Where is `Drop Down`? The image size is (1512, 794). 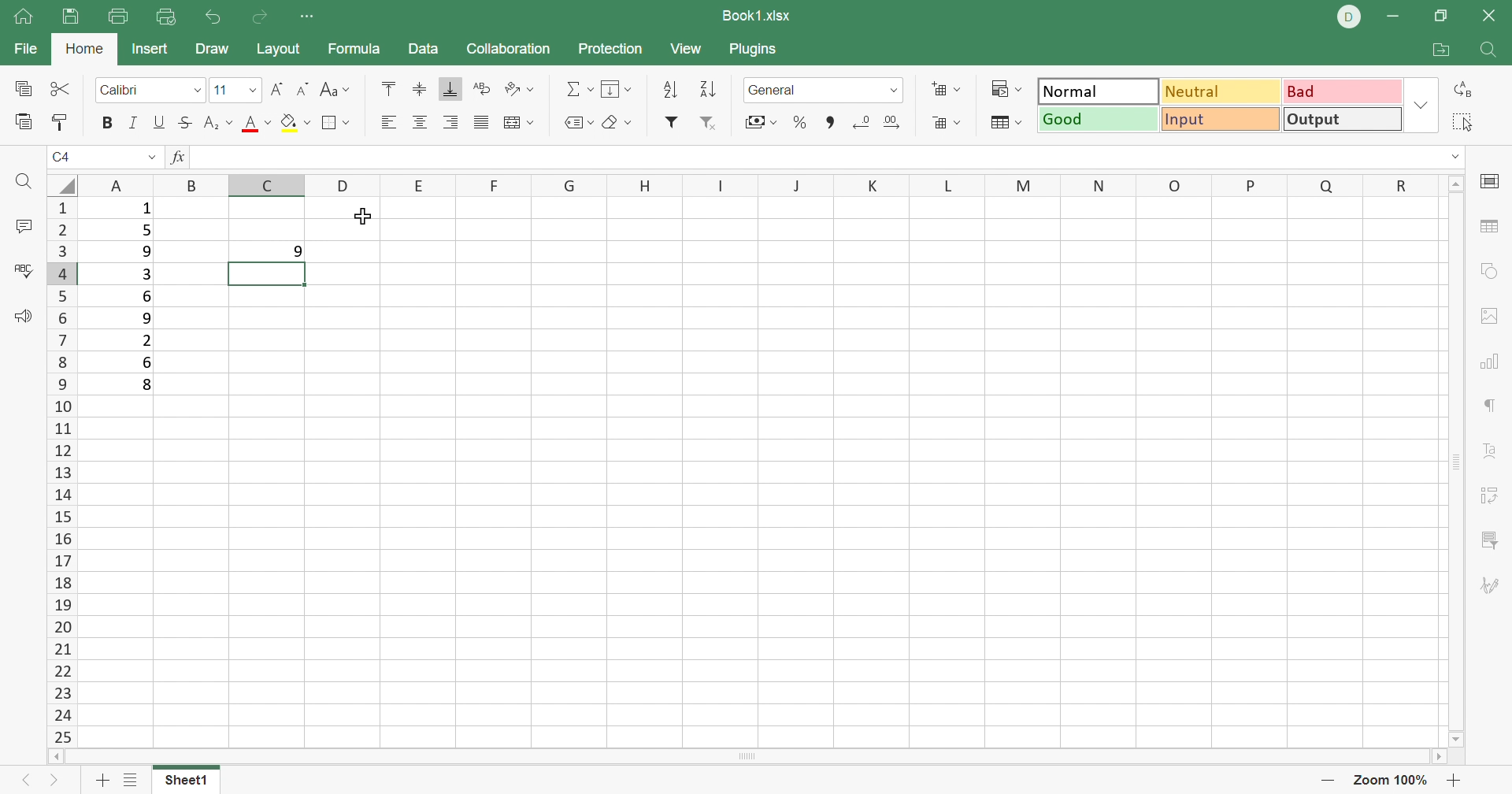 Drop Down is located at coordinates (1423, 104).